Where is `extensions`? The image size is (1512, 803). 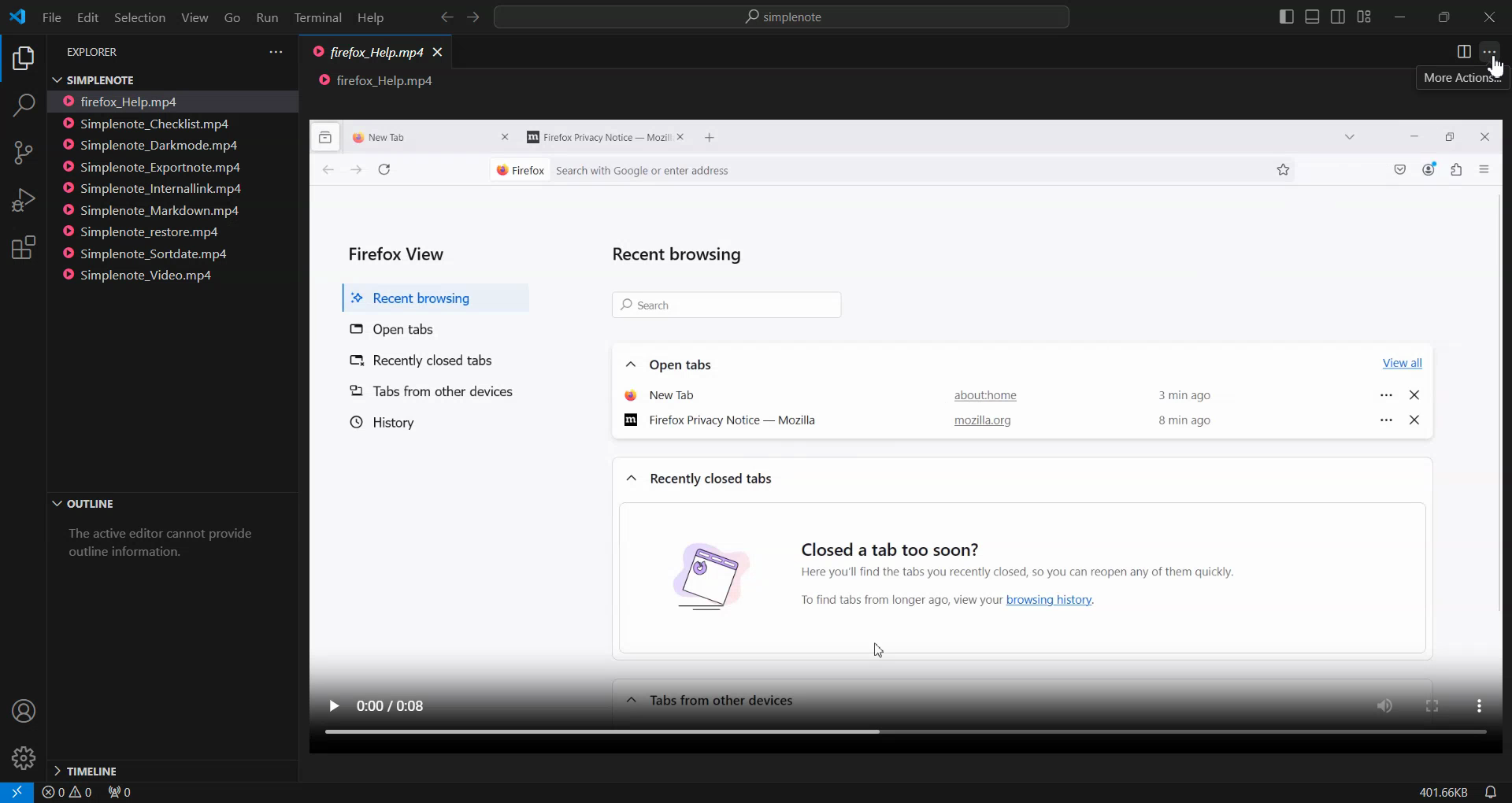 extensions is located at coordinates (1459, 172).